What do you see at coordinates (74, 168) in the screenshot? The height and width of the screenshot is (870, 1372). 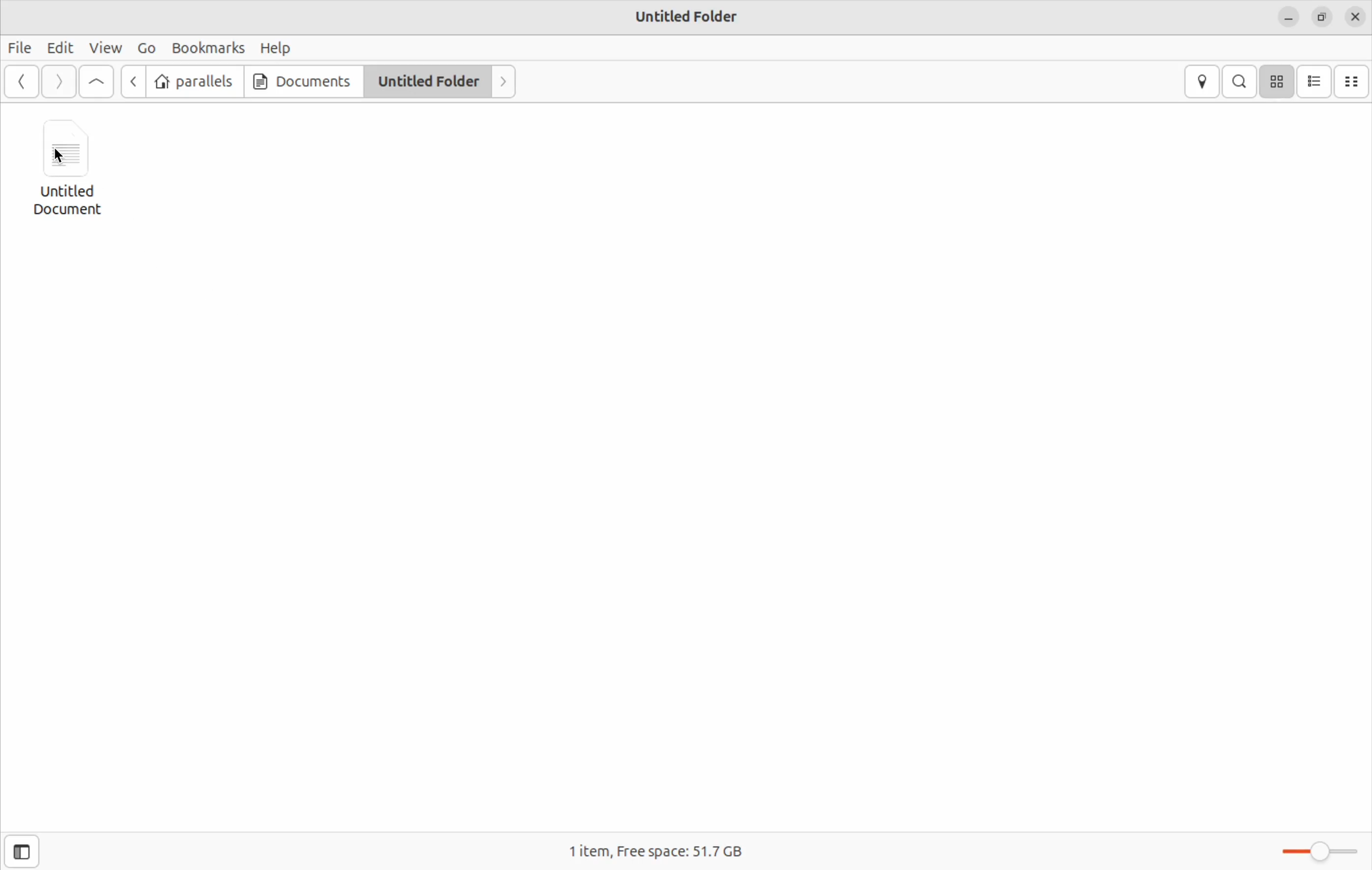 I see `Untitled Document` at bounding box center [74, 168].